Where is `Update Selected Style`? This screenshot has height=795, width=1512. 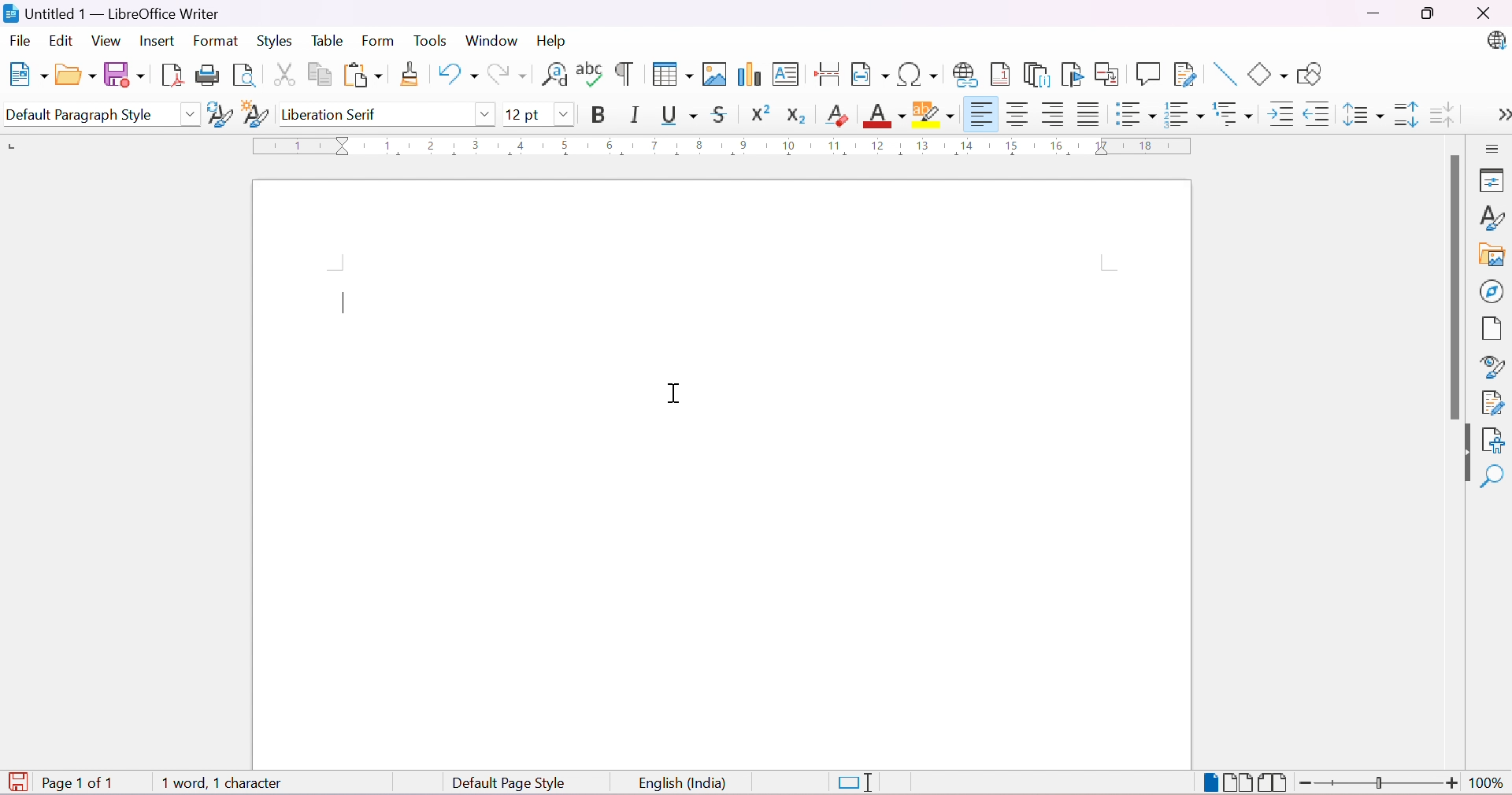 Update Selected Style is located at coordinates (217, 116).